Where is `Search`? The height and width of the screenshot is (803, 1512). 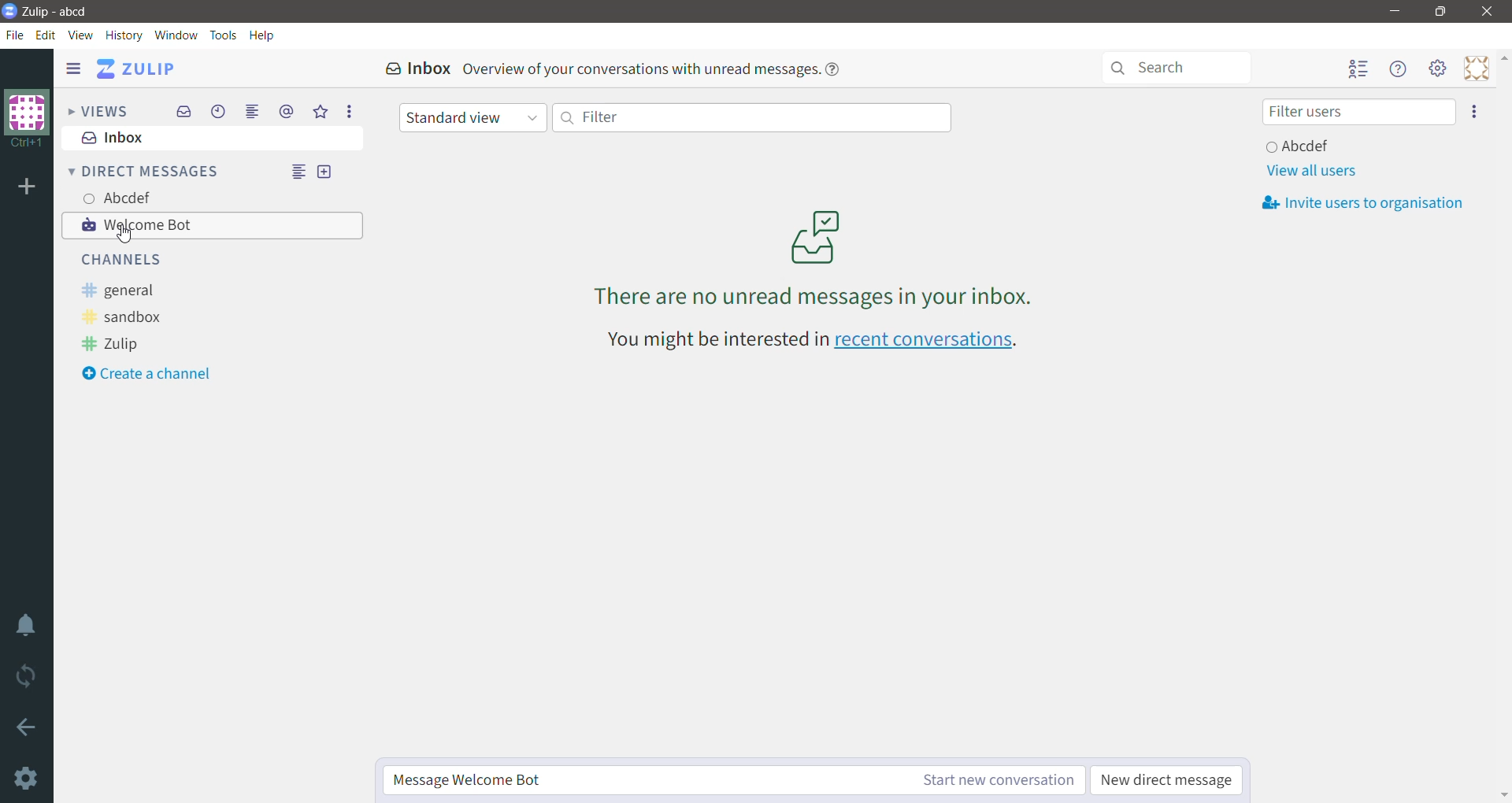 Search is located at coordinates (1176, 67).